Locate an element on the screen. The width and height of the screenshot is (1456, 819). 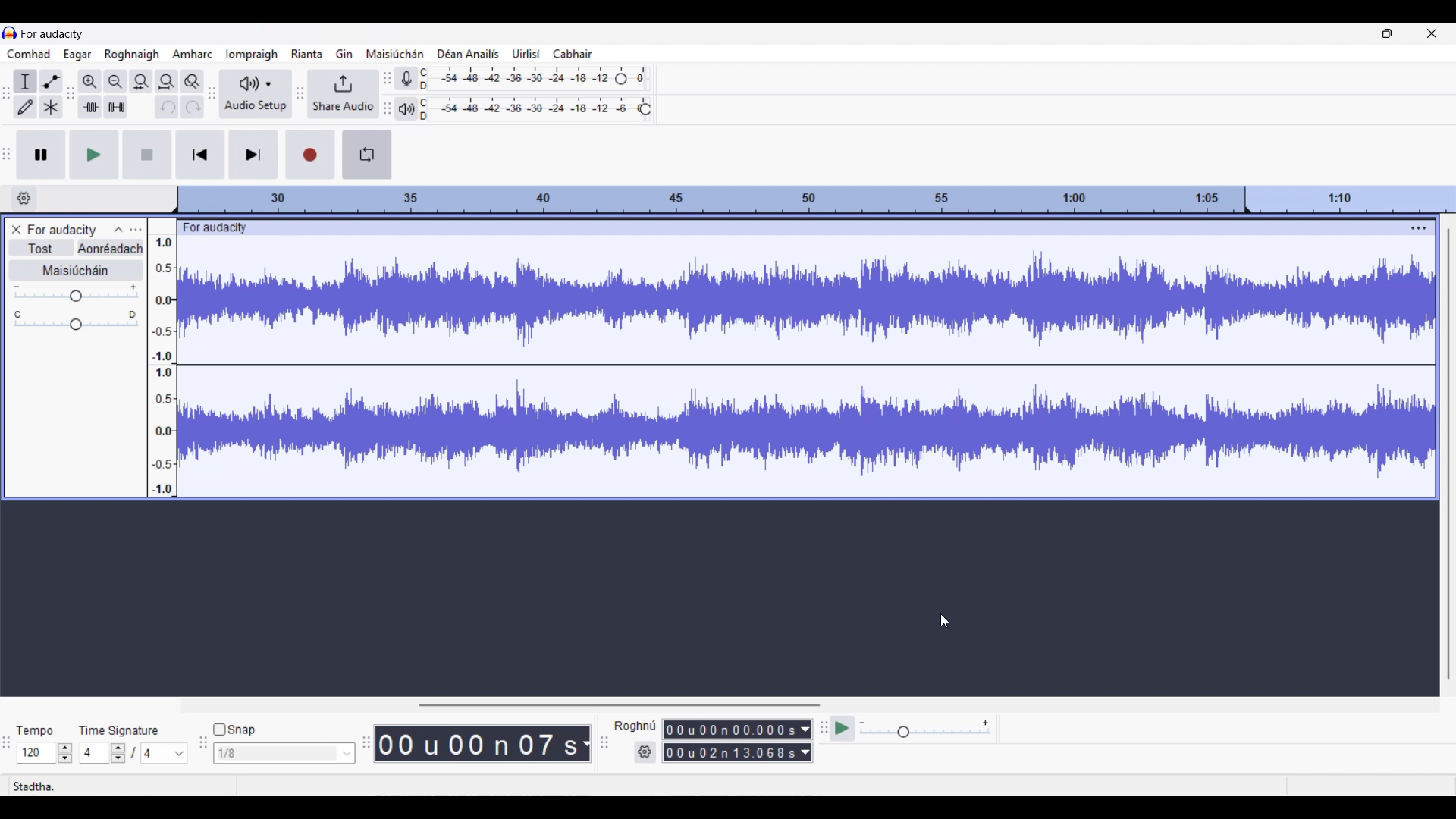
stopped is located at coordinates (39, 784).